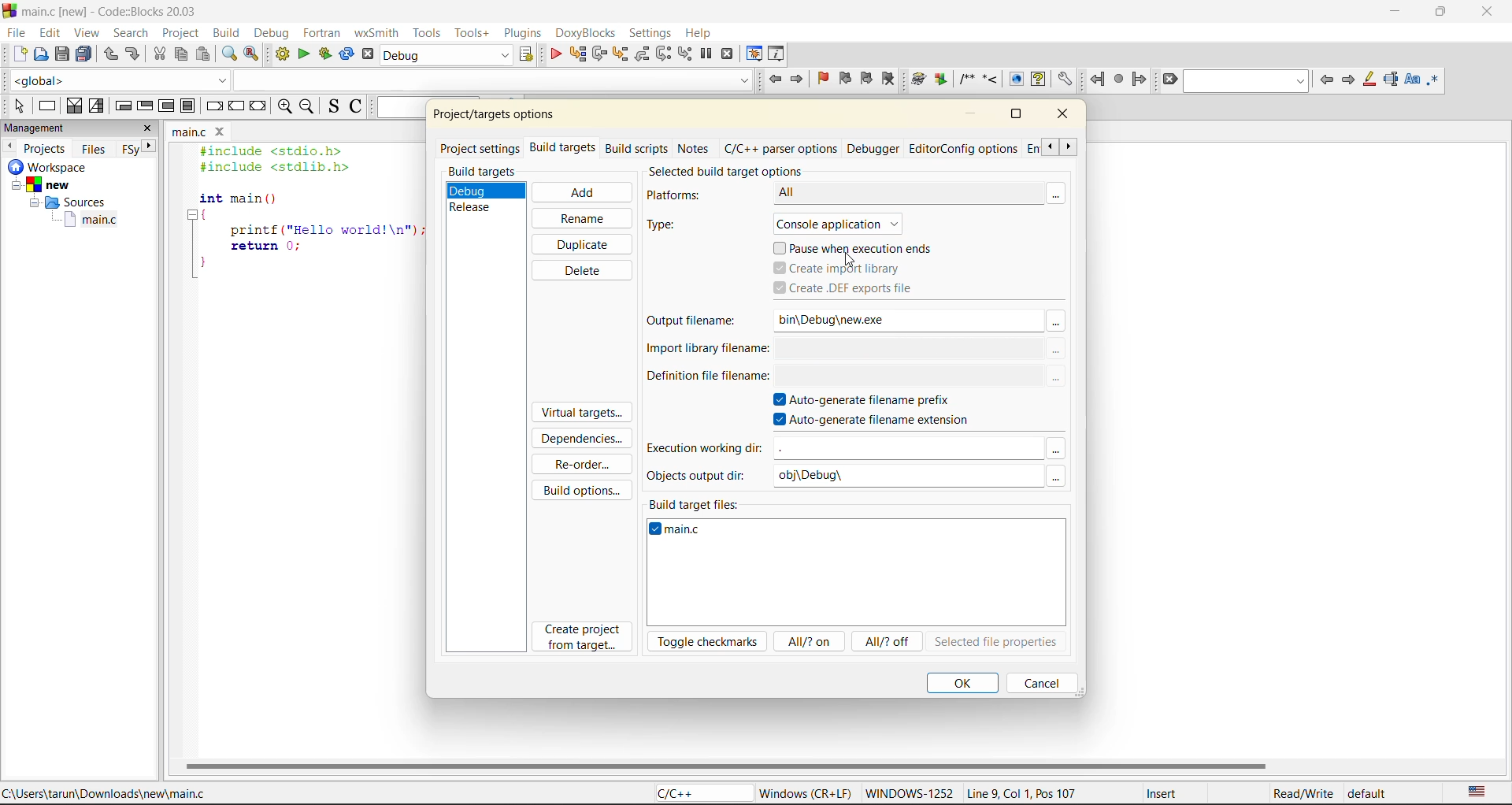  I want to click on dependencies, so click(587, 441).